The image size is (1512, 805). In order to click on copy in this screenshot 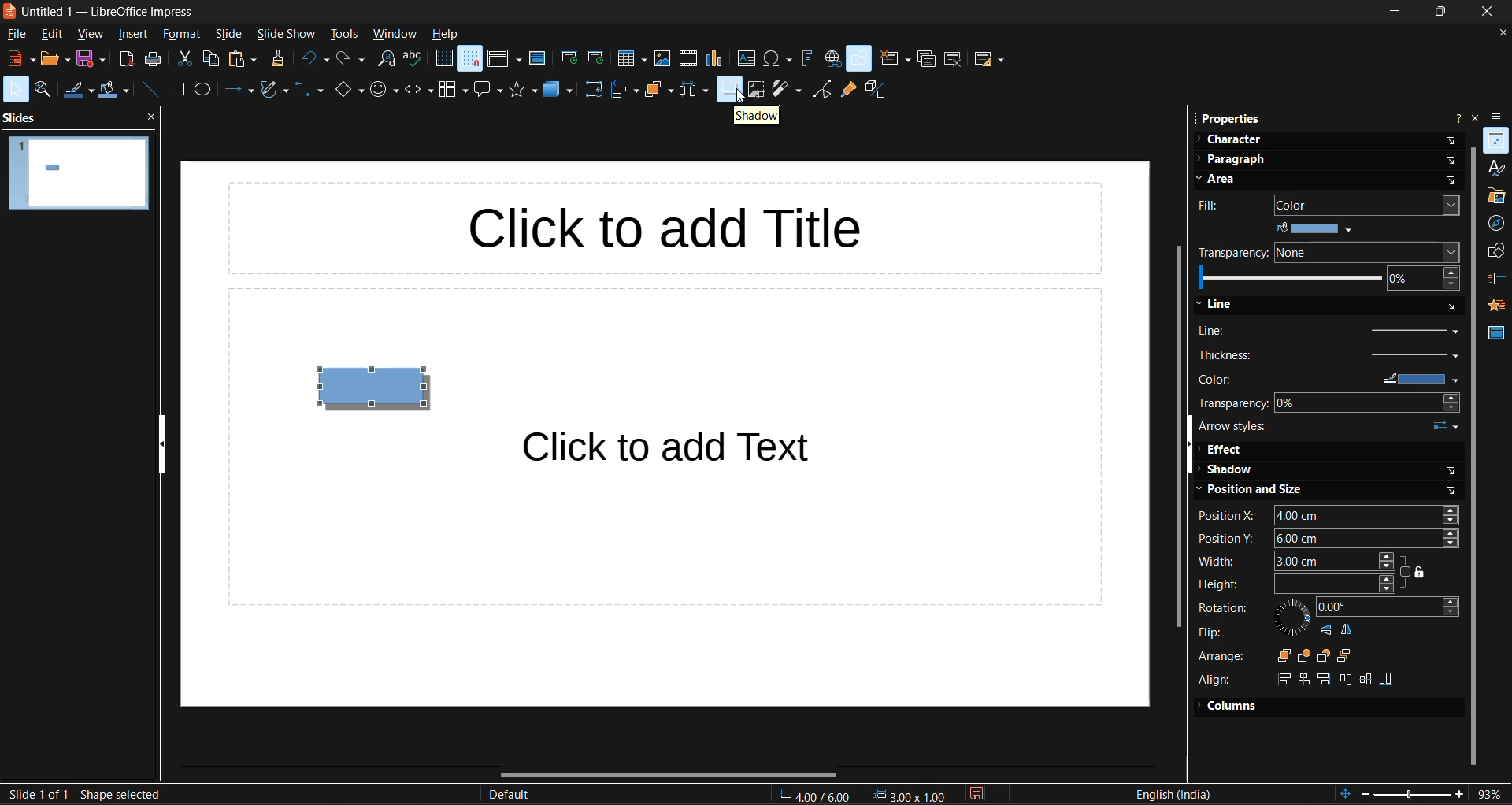, I will do `click(213, 59)`.